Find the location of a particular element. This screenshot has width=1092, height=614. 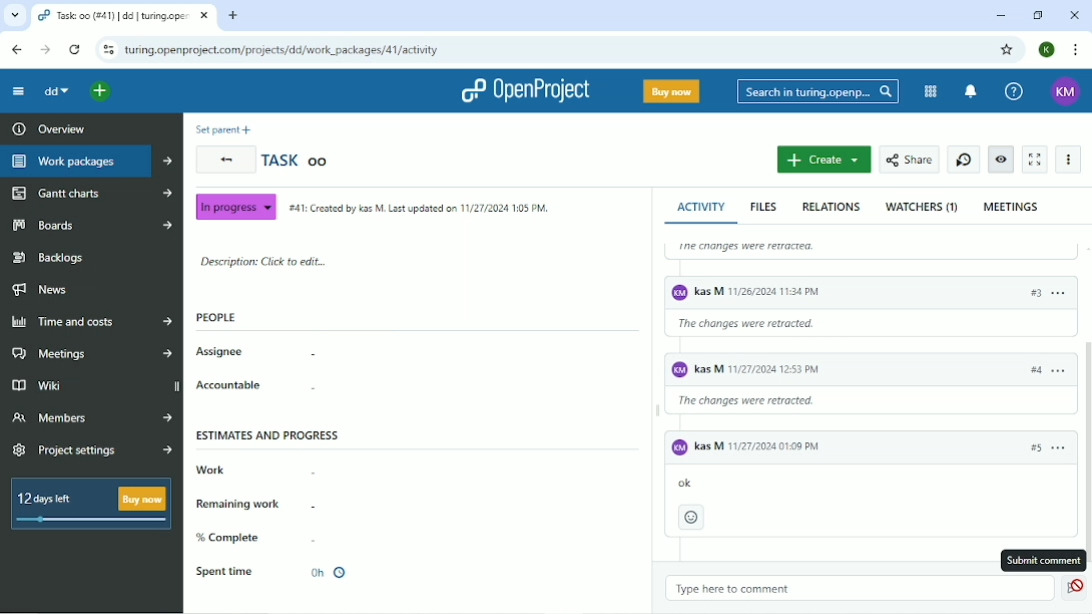

Collapse project menu is located at coordinates (19, 91).